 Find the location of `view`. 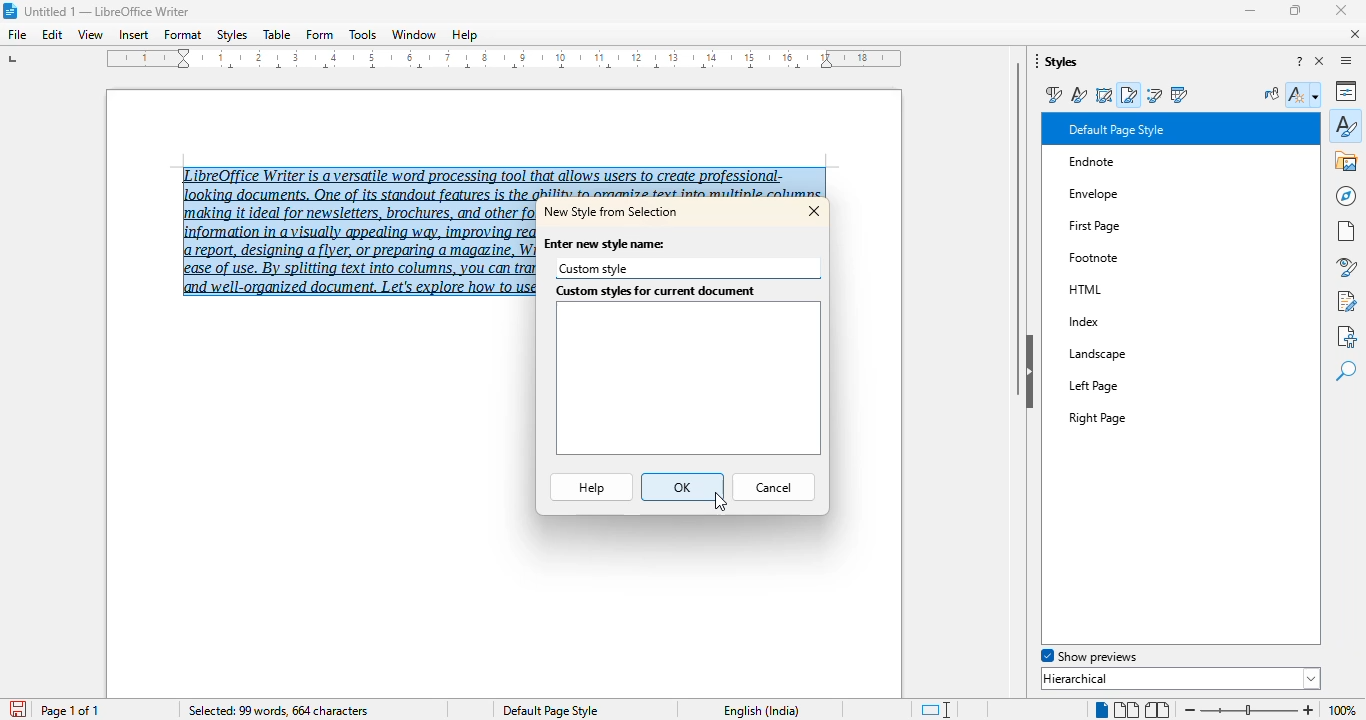

view is located at coordinates (90, 34).